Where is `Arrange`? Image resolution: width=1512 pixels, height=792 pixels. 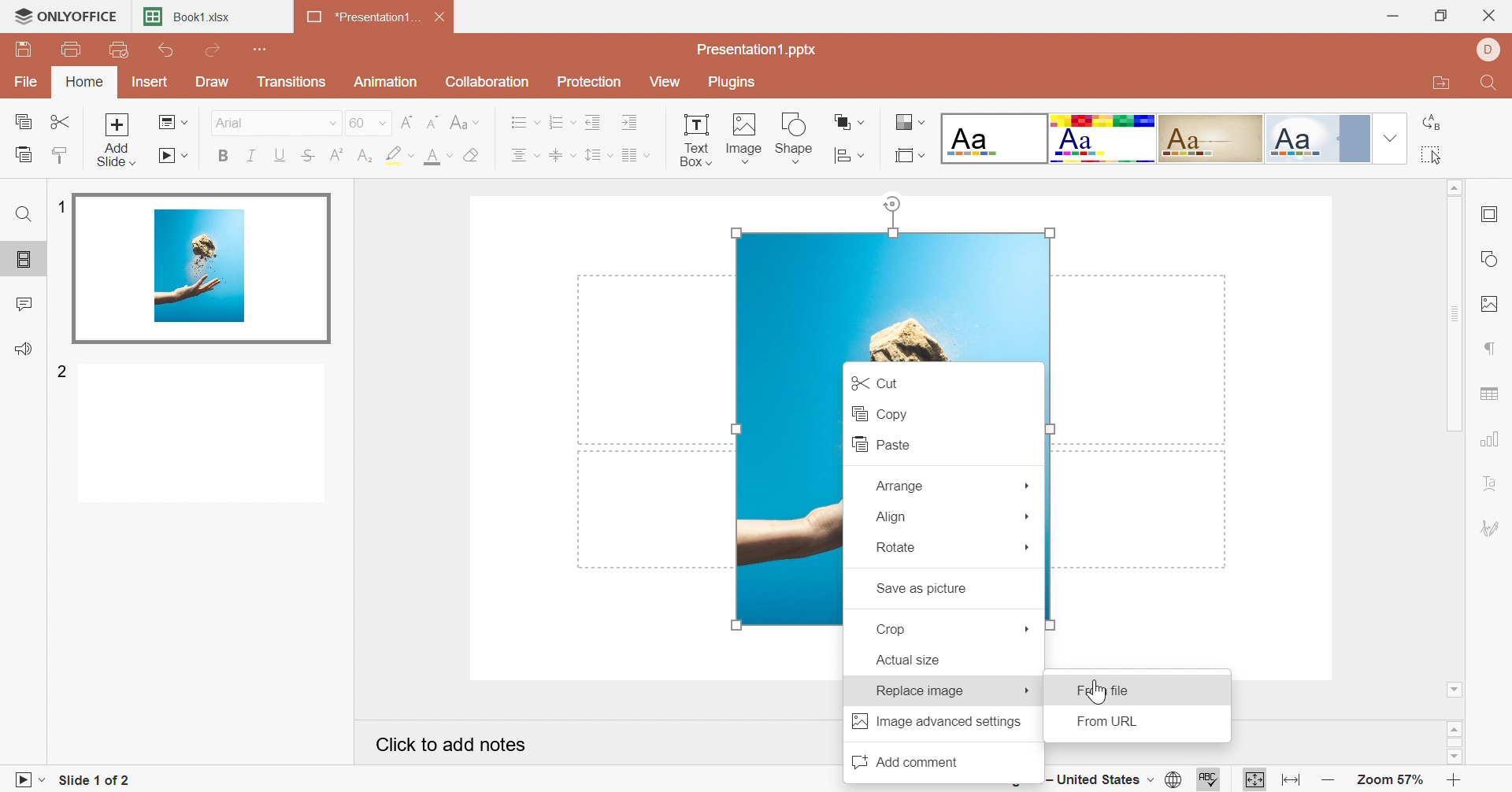 Arrange is located at coordinates (898, 485).